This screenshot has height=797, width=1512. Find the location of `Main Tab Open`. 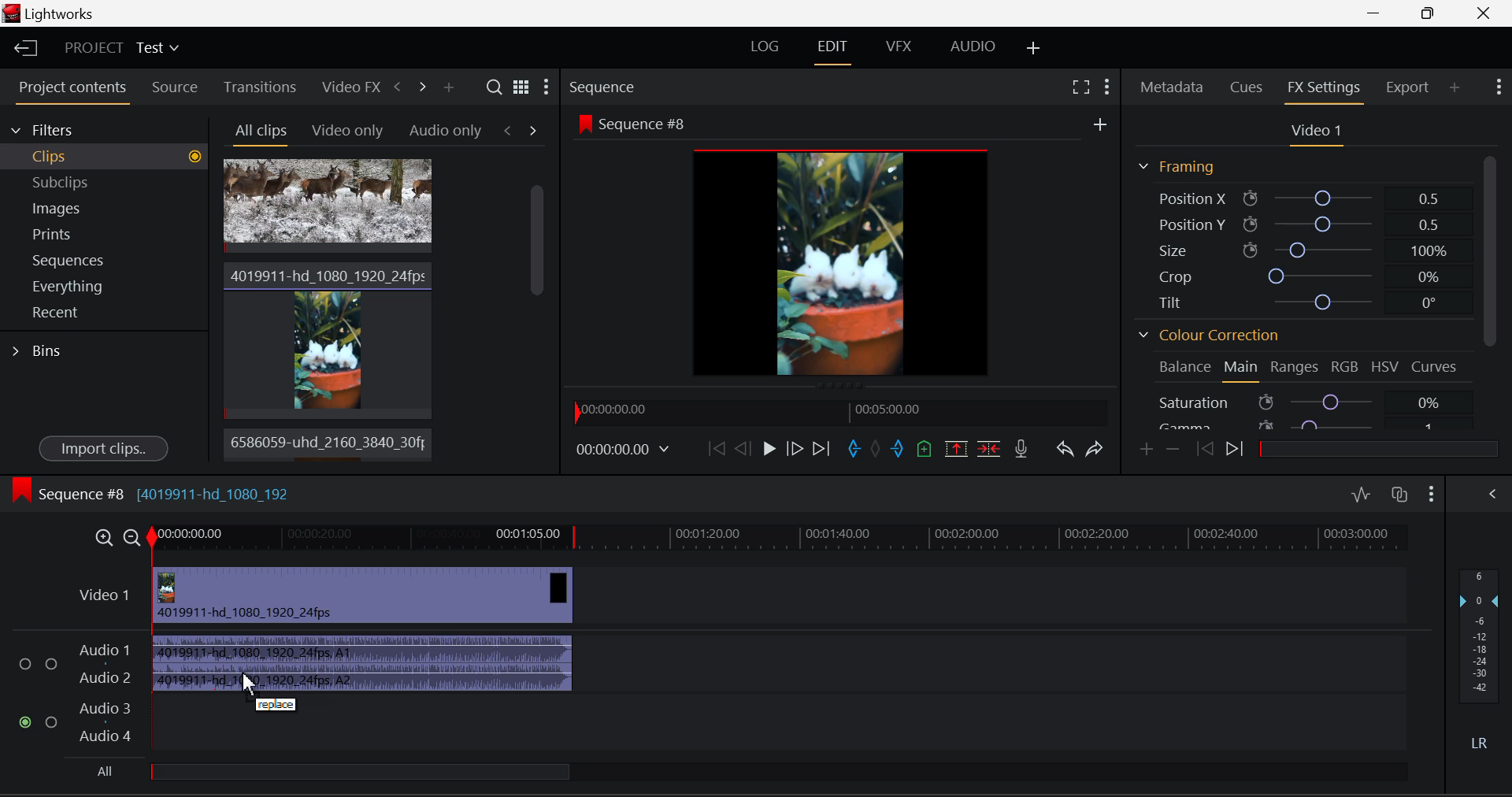

Main Tab Open is located at coordinates (1242, 369).